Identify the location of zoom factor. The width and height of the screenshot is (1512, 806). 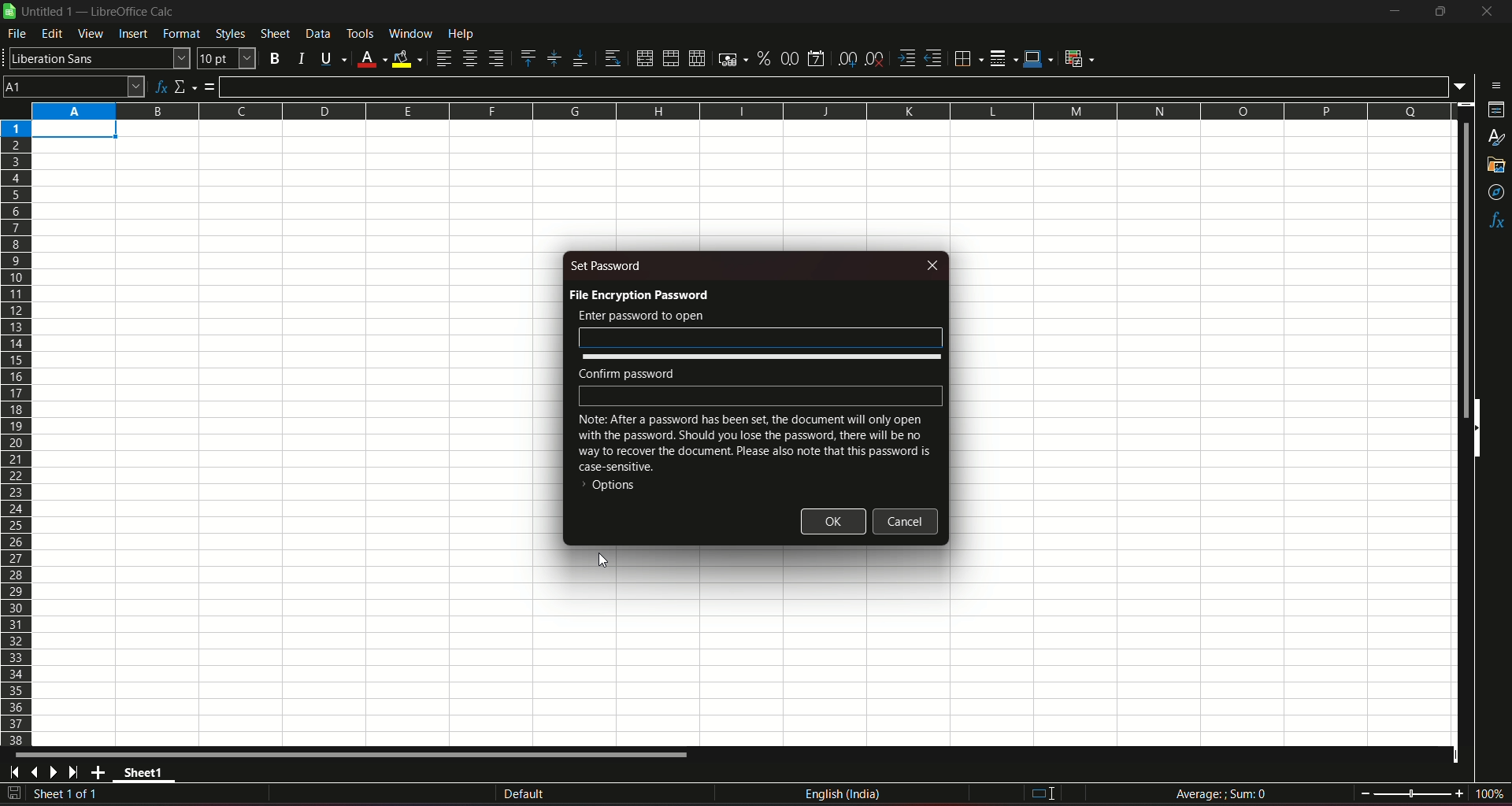
(1488, 794).